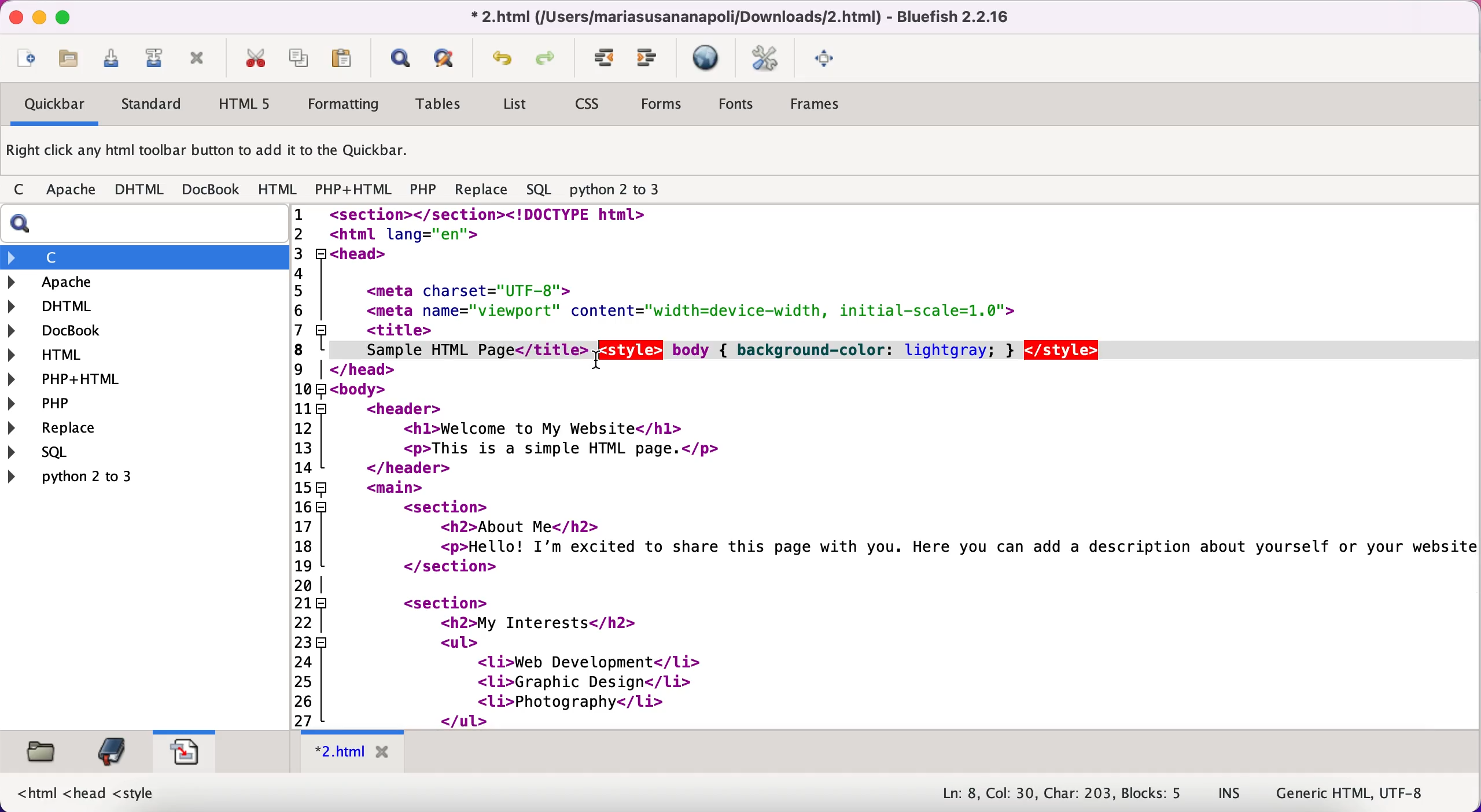 The height and width of the screenshot is (812, 1481). I want to click on c, so click(23, 191).